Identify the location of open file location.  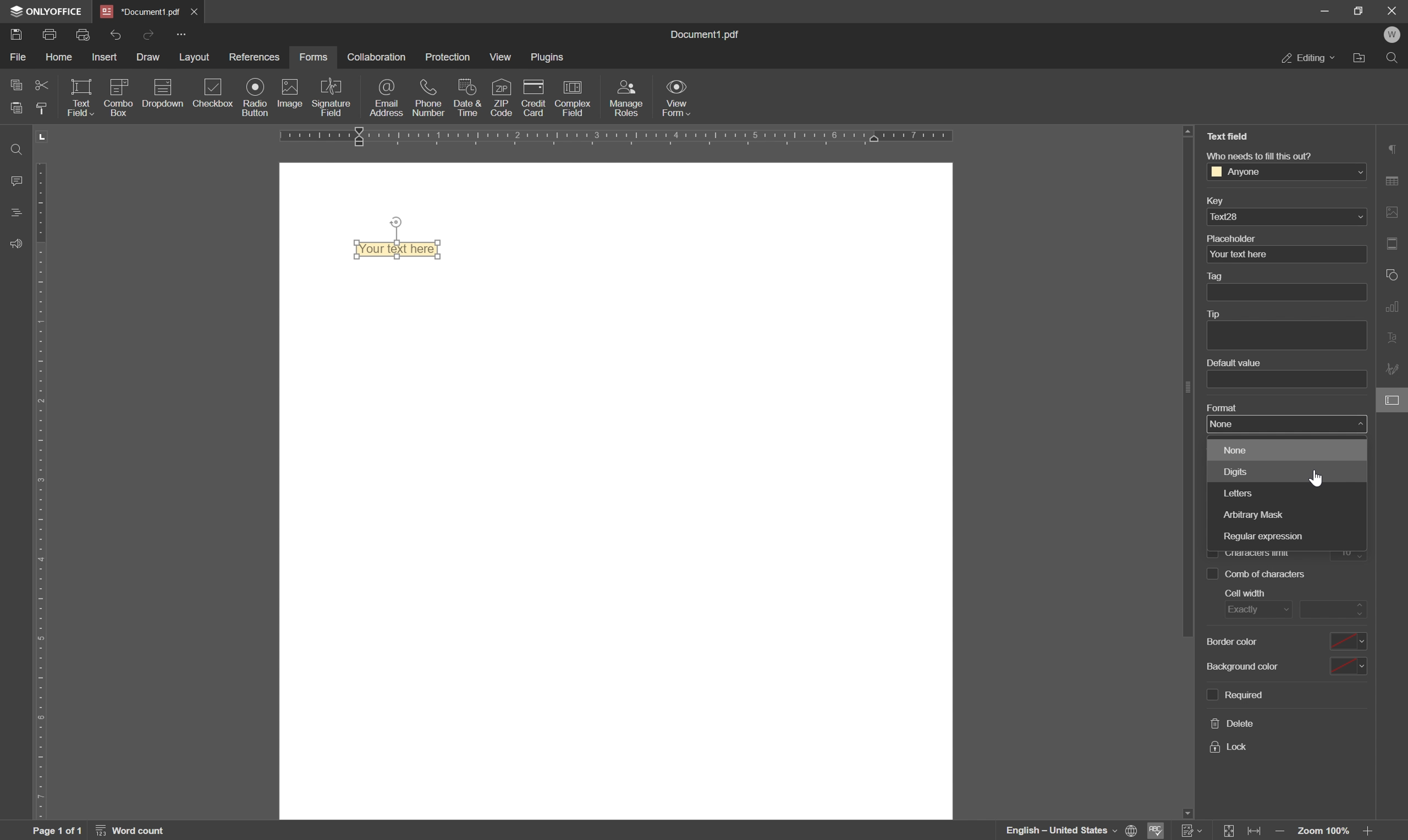
(1359, 58).